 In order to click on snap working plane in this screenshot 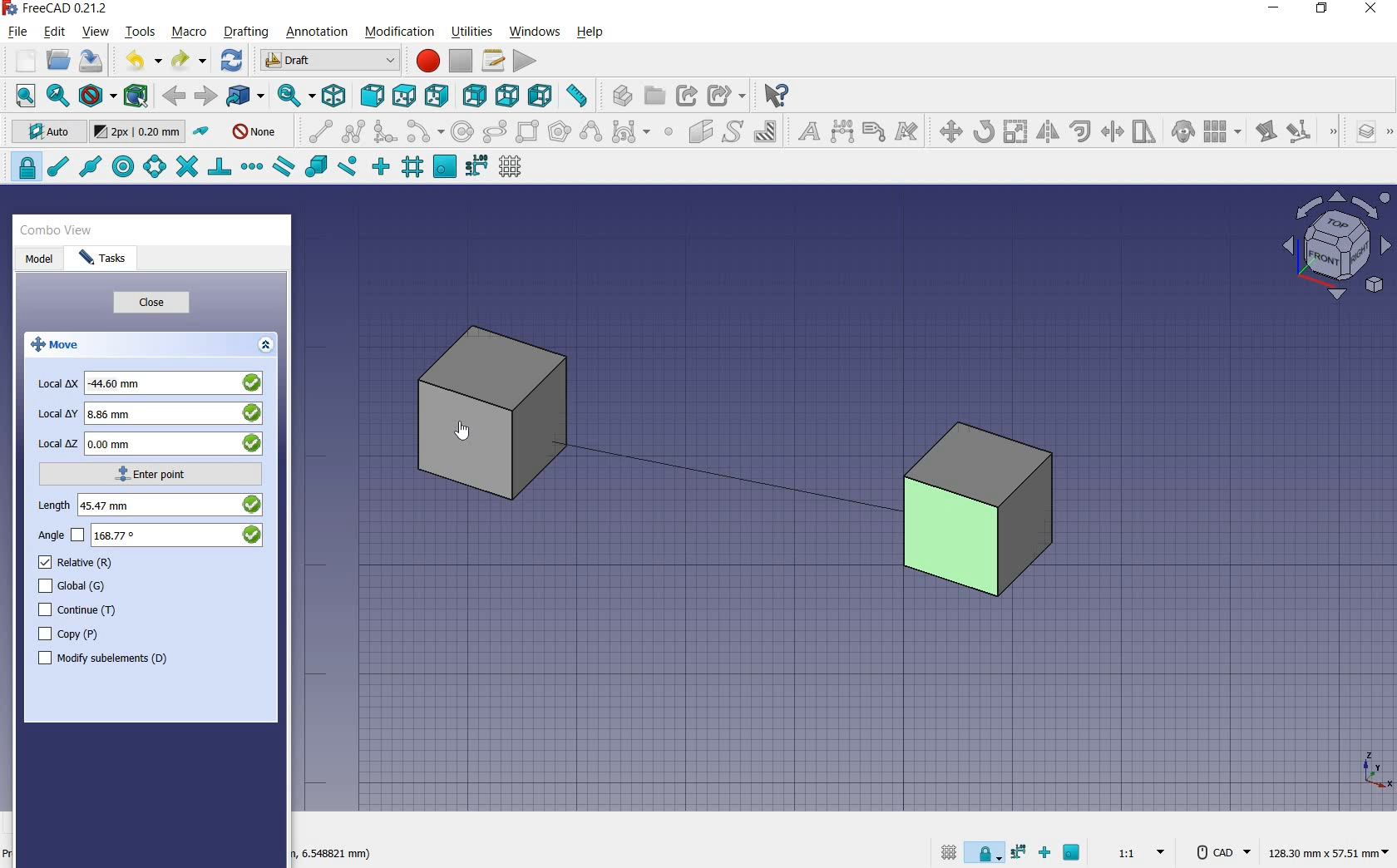, I will do `click(1073, 853)`.